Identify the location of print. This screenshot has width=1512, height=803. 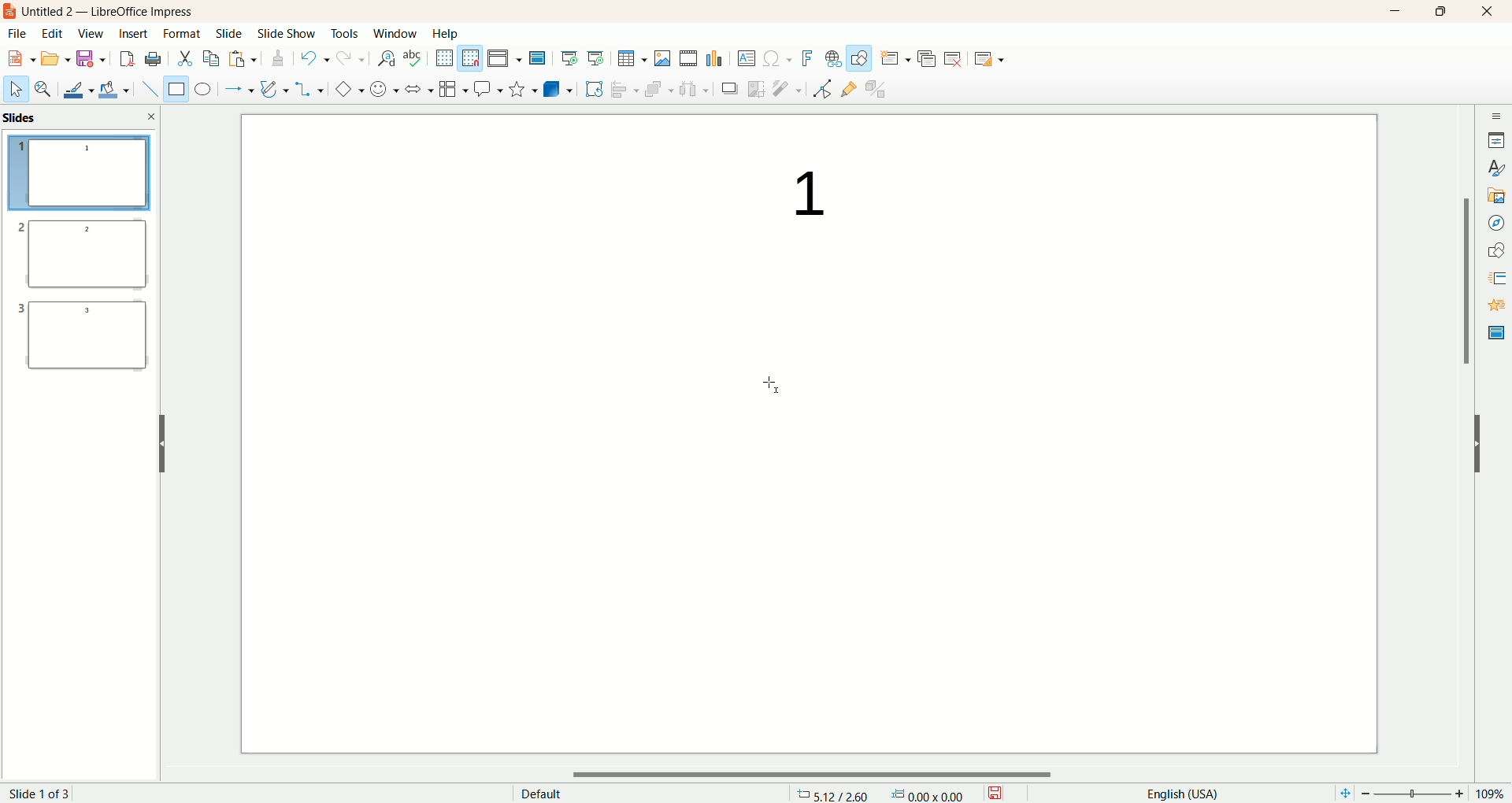
(153, 58).